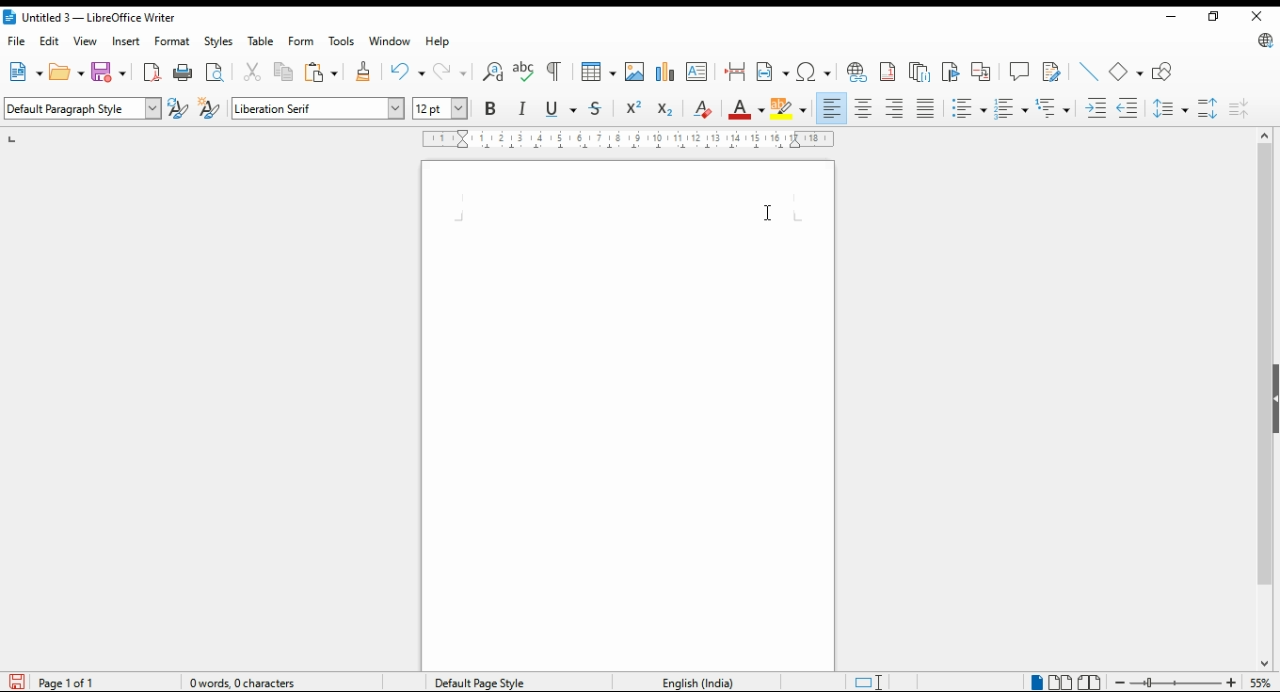 Image resolution: width=1280 pixels, height=692 pixels. I want to click on check spelling, so click(524, 72).